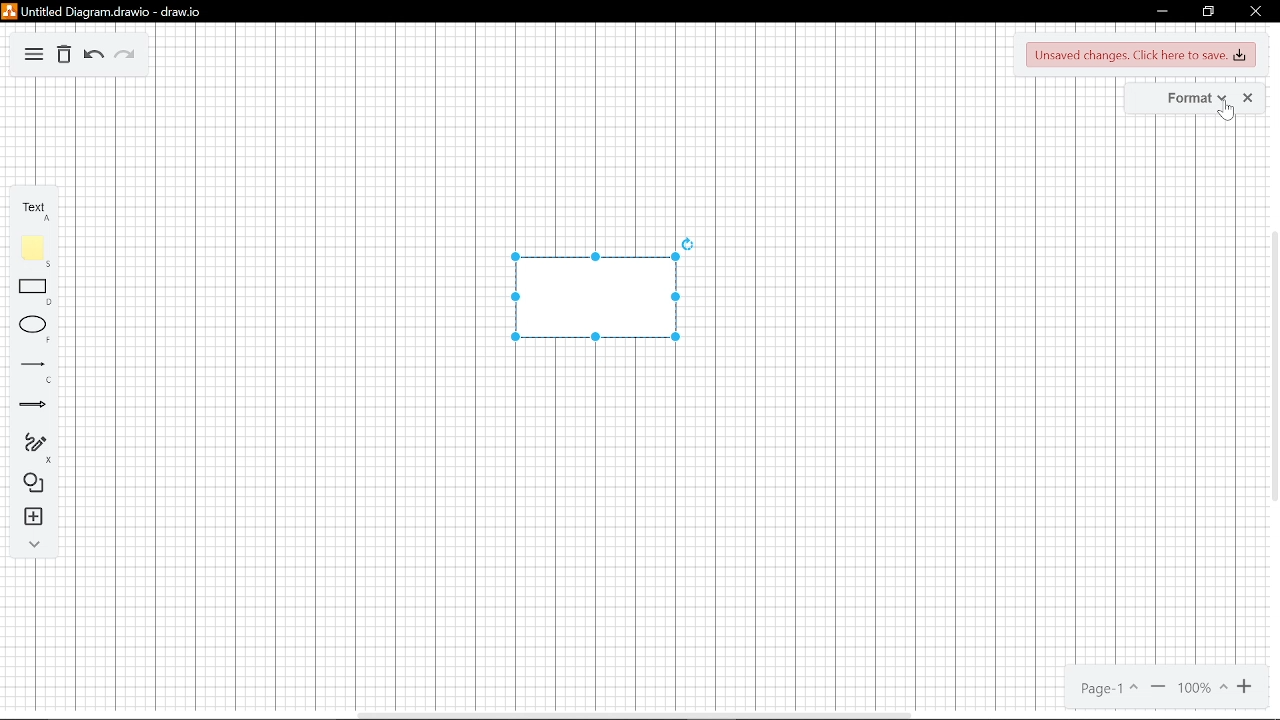 This screenshot has width=1280, height=720. Describe the element at coordinates (1193, 97) in the screenshot. I see `format` at that location.